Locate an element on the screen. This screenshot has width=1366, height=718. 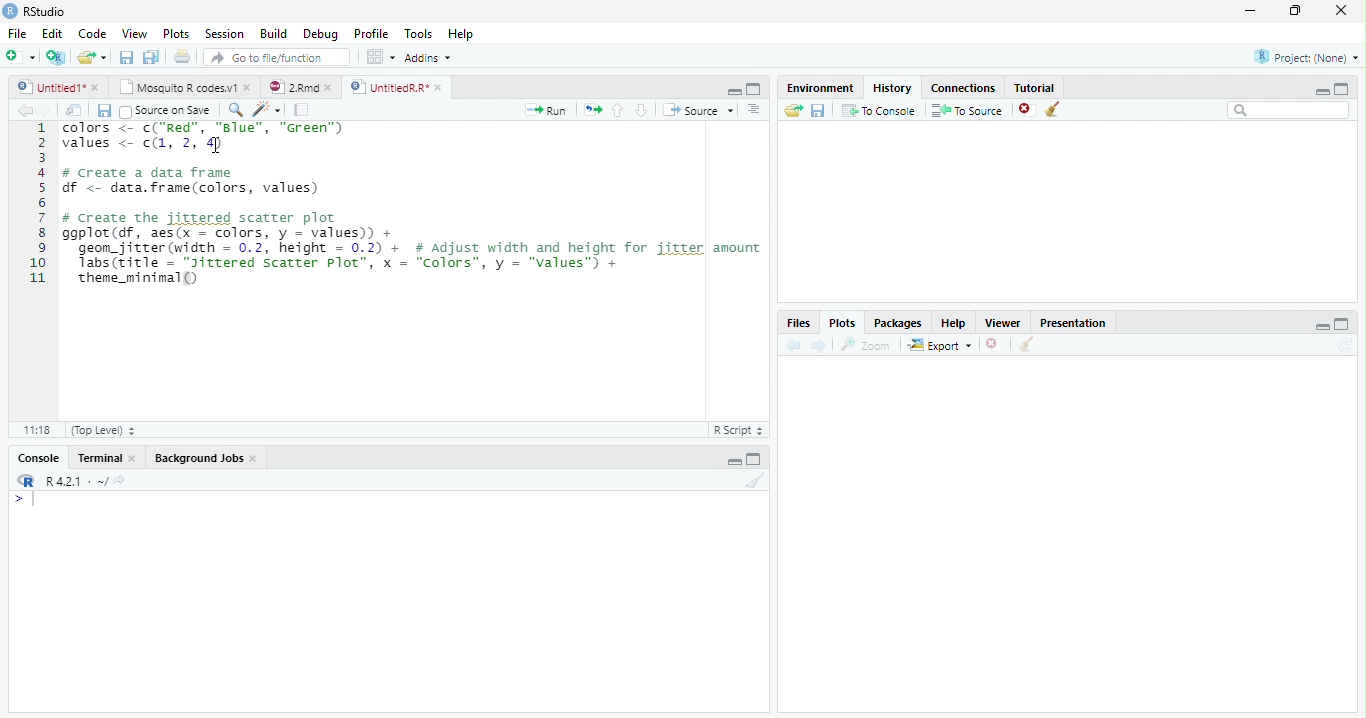
View the current working directory is located at coordinates (121, 480).